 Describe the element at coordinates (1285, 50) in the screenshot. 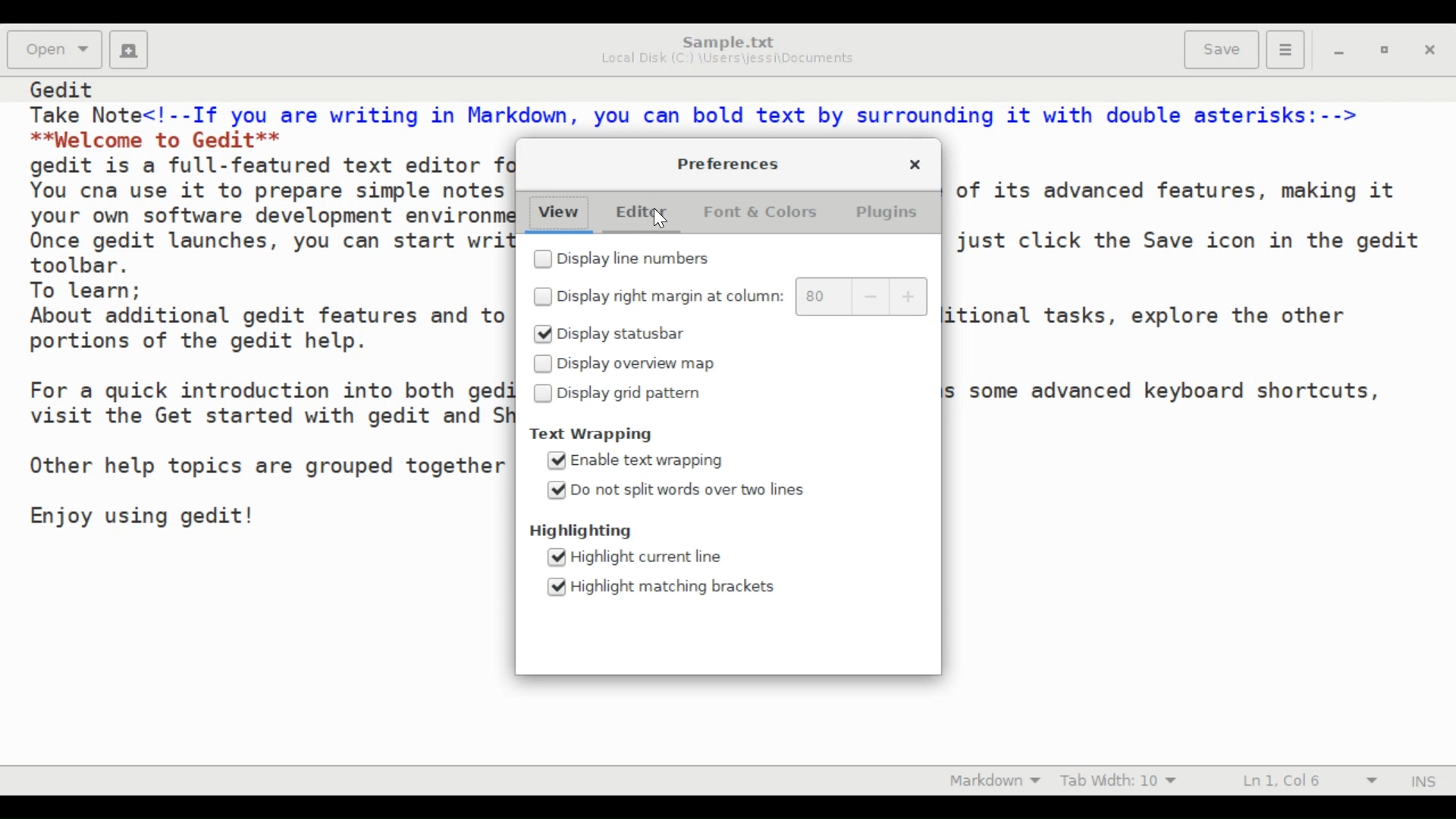

I see `Application menu` at that location.